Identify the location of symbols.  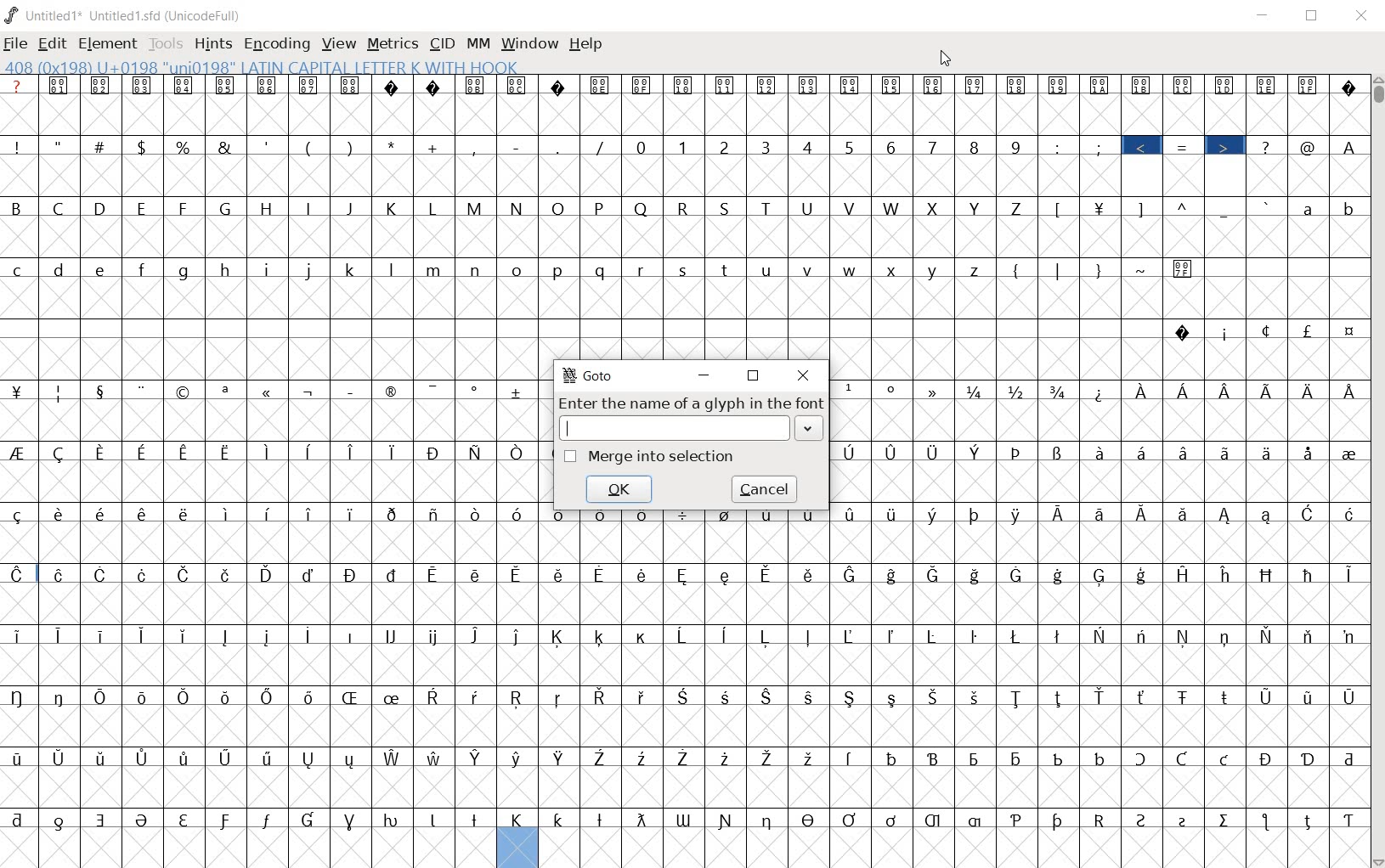
(1160, 207).